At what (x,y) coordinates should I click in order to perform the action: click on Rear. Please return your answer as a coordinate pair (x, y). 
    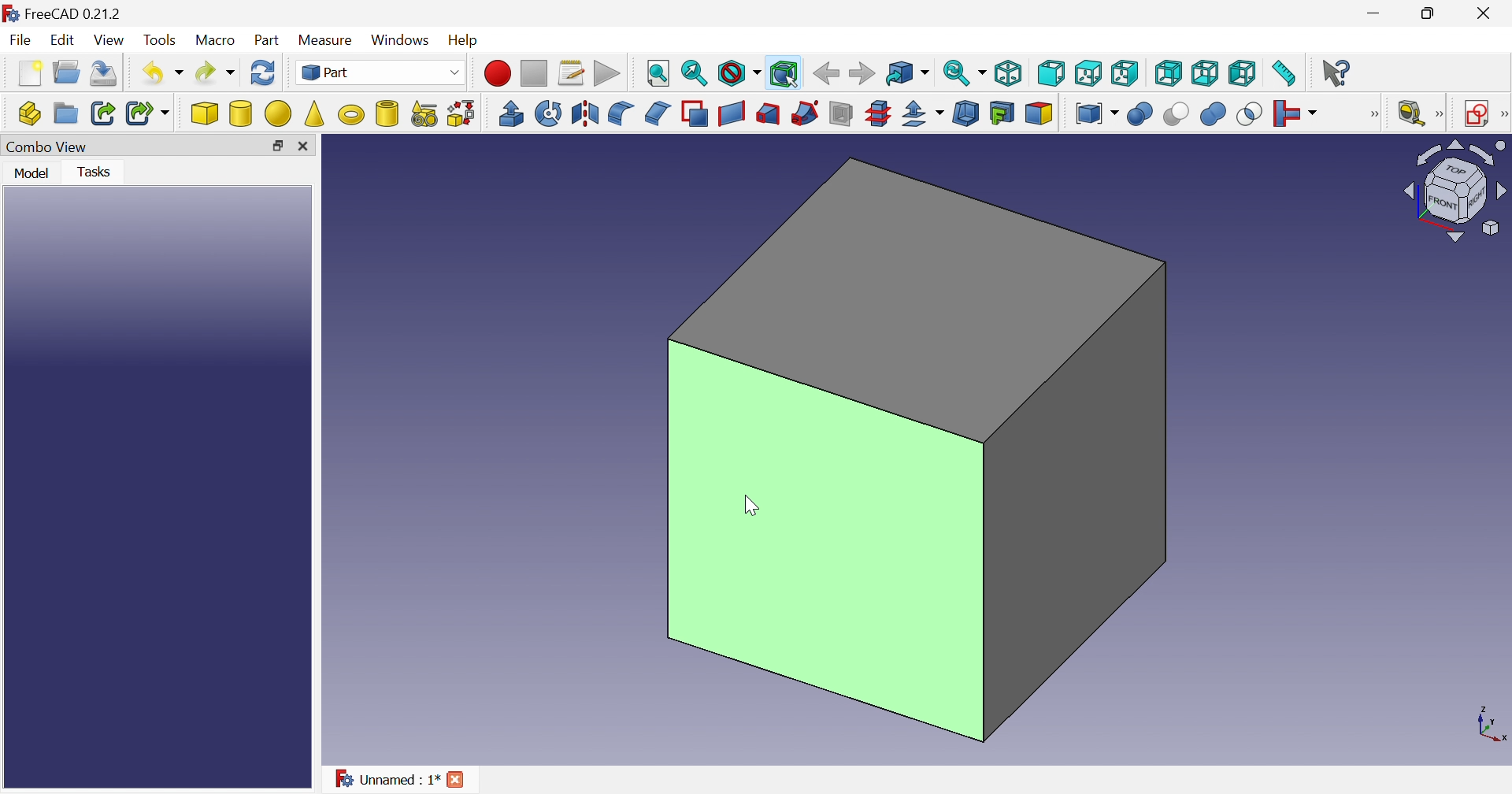
    Looking at the image, I should click on (1167, 72).